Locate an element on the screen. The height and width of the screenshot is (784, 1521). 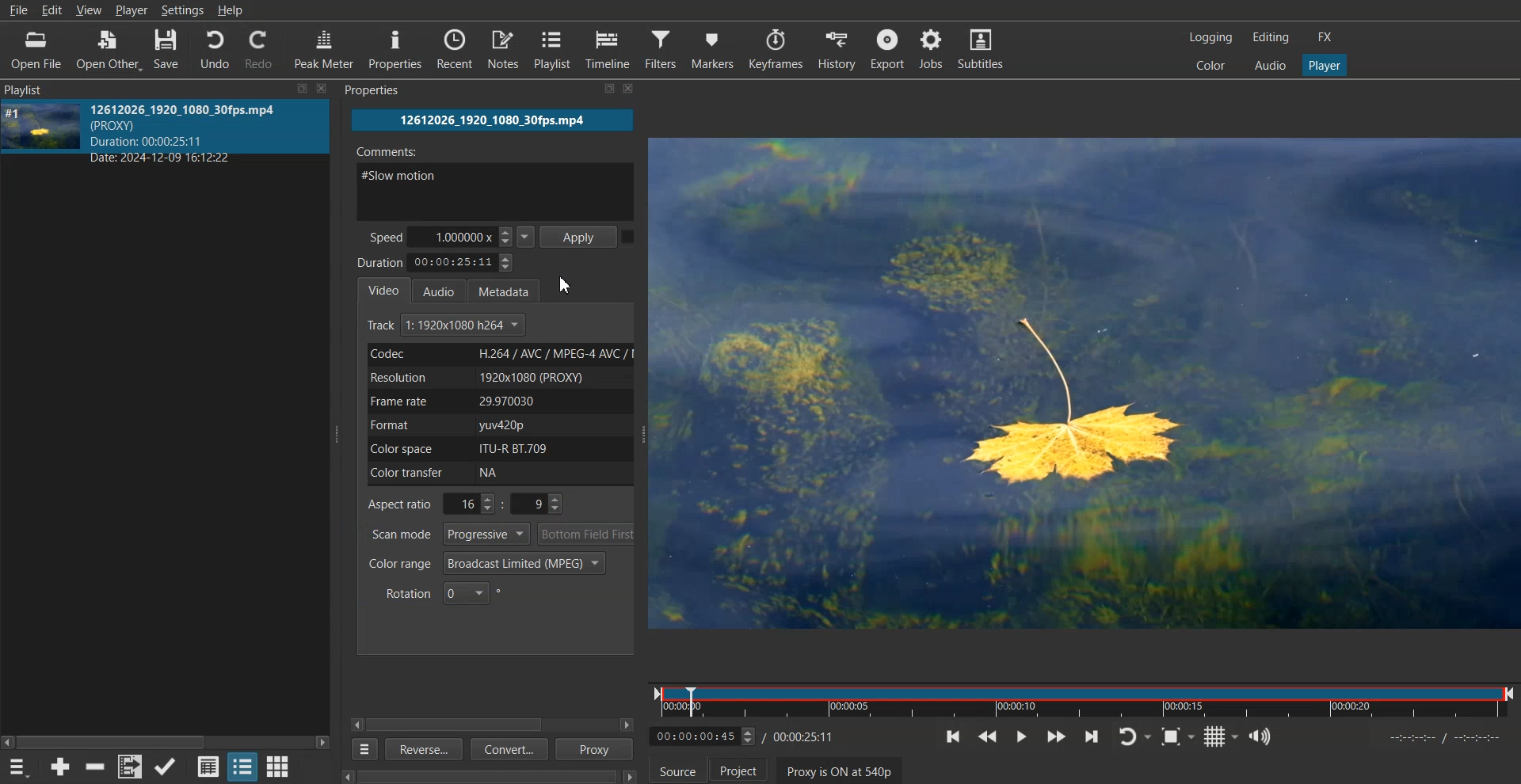
Adjust Speed  is located at coordinates (452, 236).